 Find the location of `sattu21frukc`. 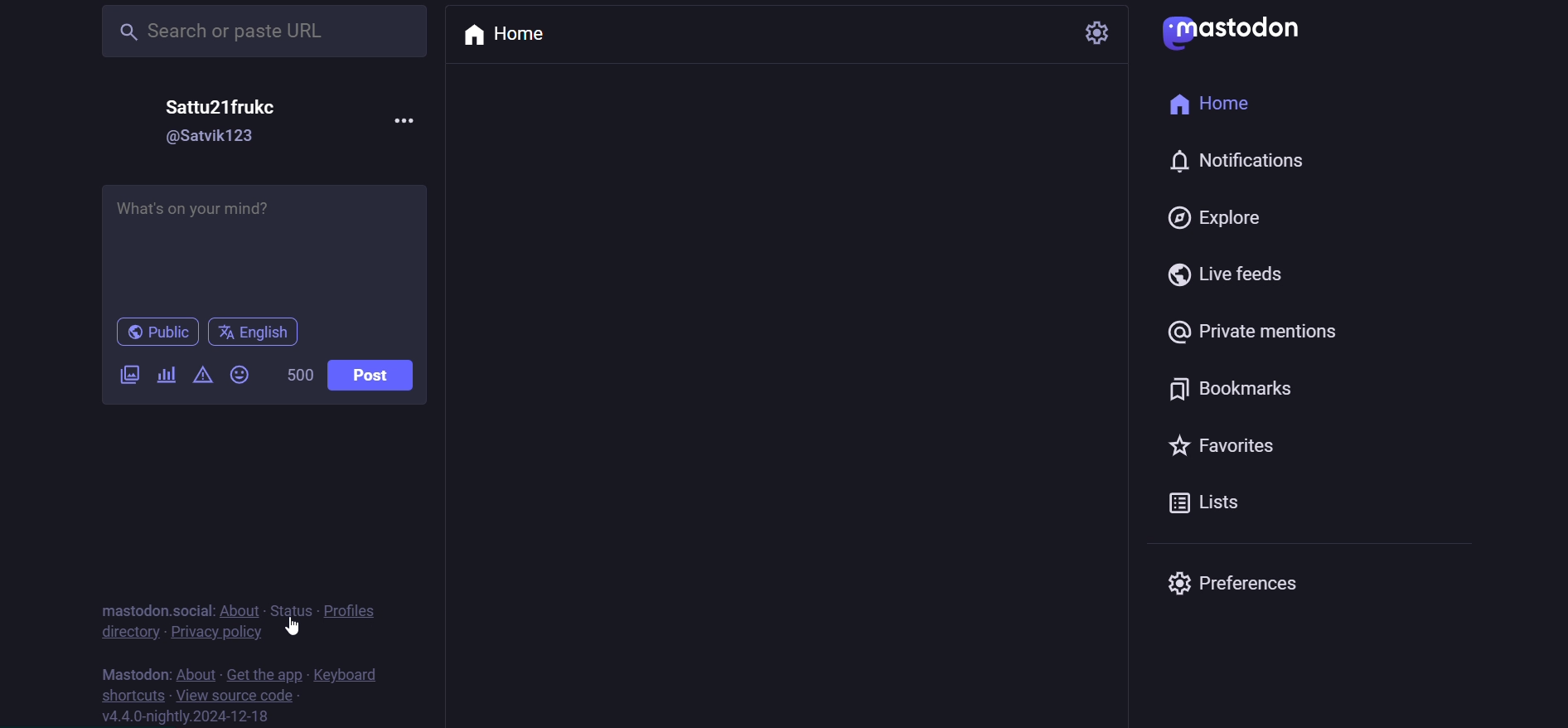

sattu21frukc is located at coordinates (225, 108).